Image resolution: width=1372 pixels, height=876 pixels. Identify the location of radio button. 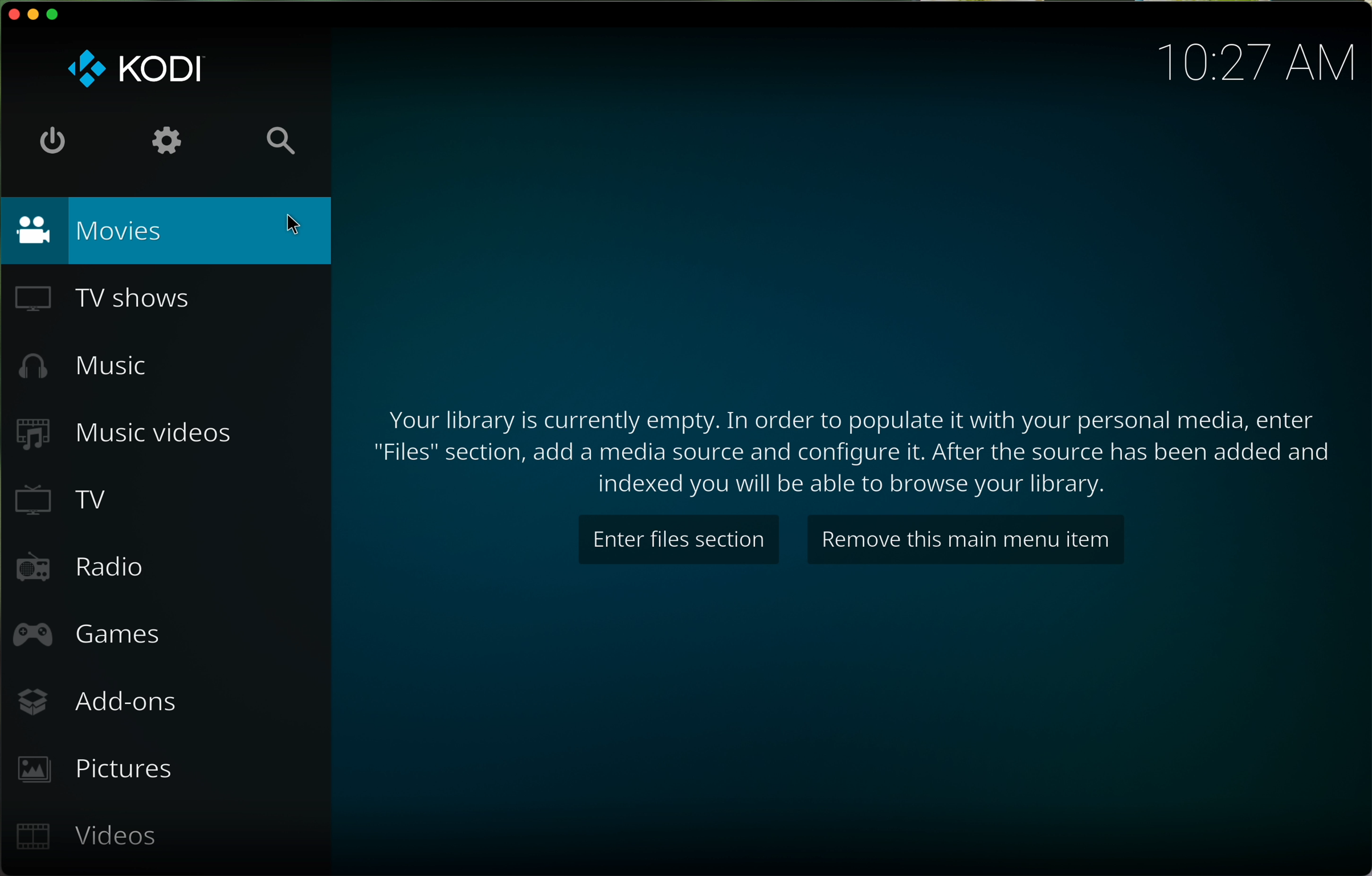
(84, 570).